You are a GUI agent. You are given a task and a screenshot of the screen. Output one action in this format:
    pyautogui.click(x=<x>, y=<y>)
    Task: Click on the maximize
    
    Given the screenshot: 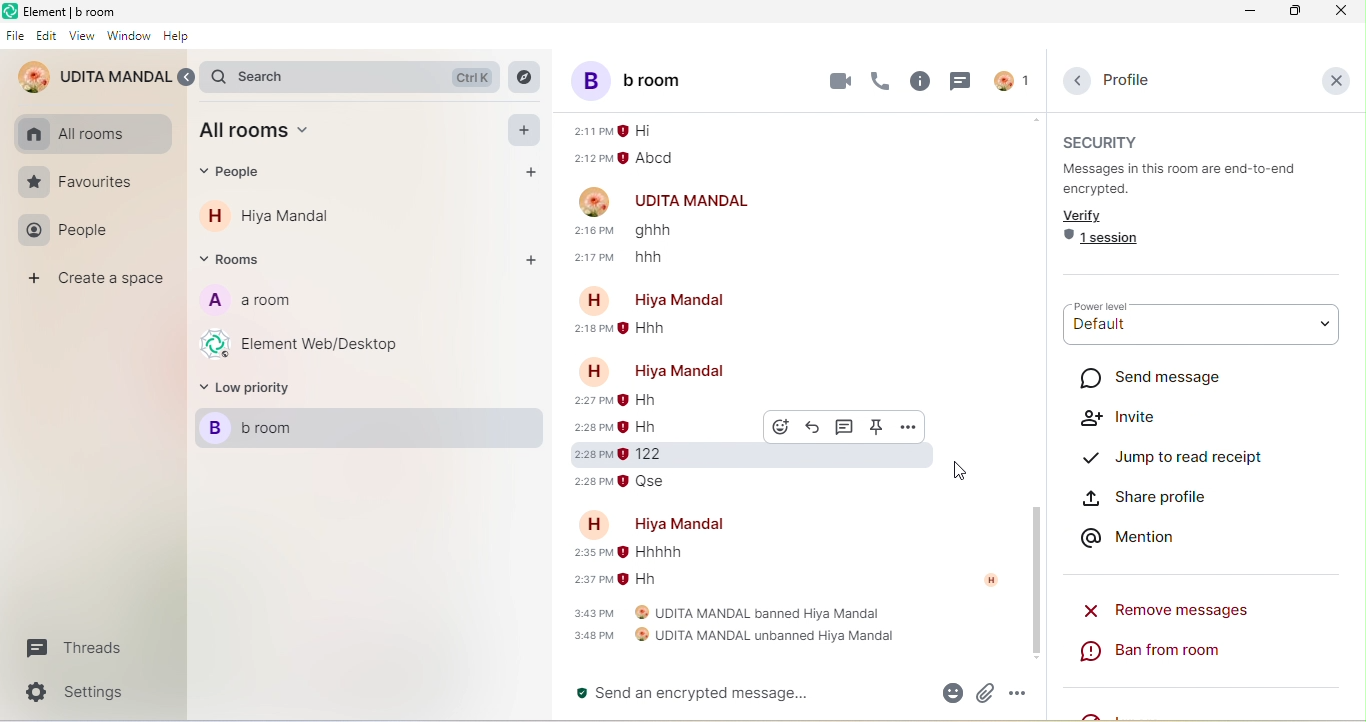 What is the action you would take?
    pyautogui.click(x=1294, y=11)
    